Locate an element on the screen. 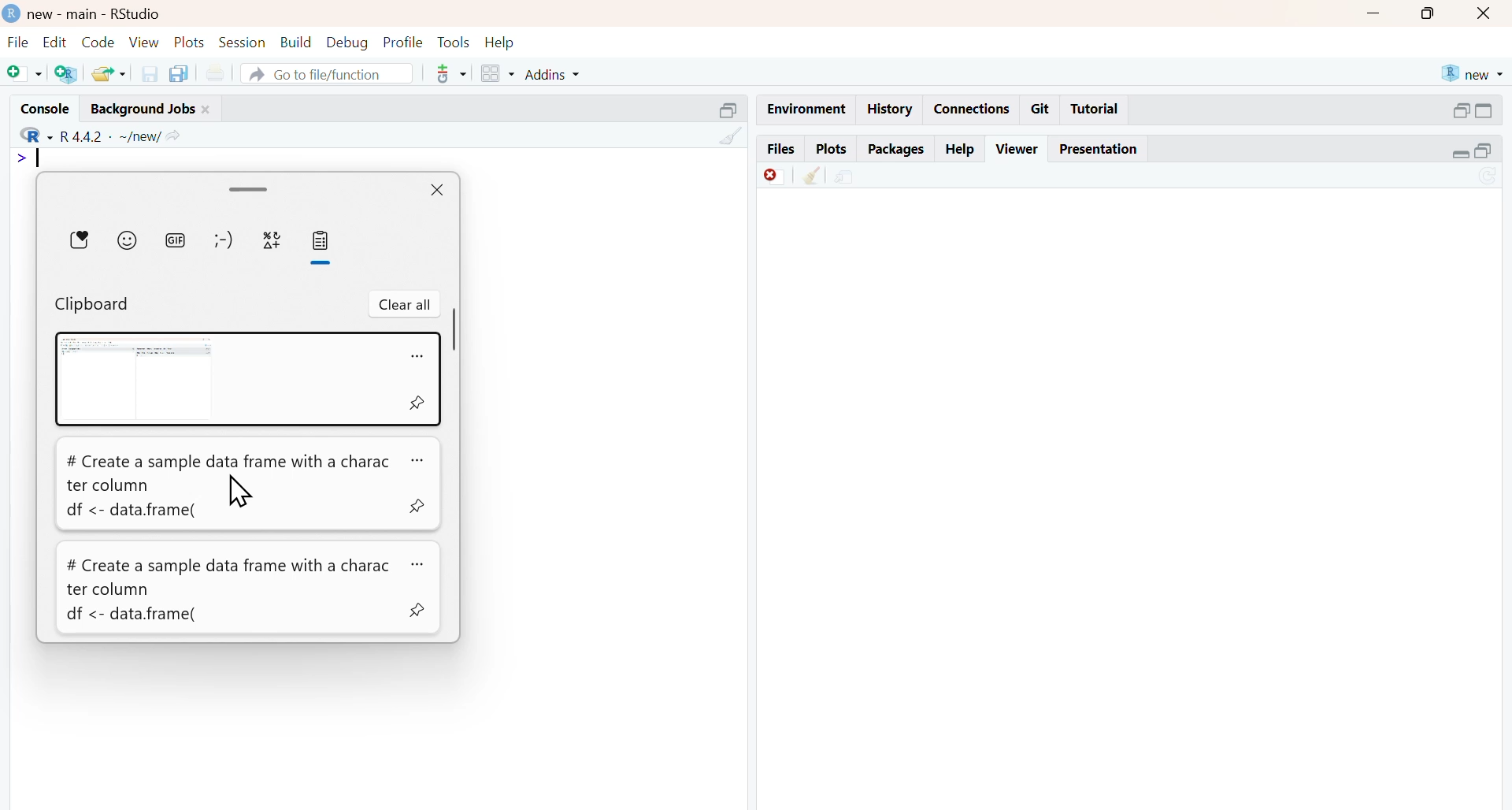 This screenshot has width=1512, height=810. grid is located at coordinates (499, 73).